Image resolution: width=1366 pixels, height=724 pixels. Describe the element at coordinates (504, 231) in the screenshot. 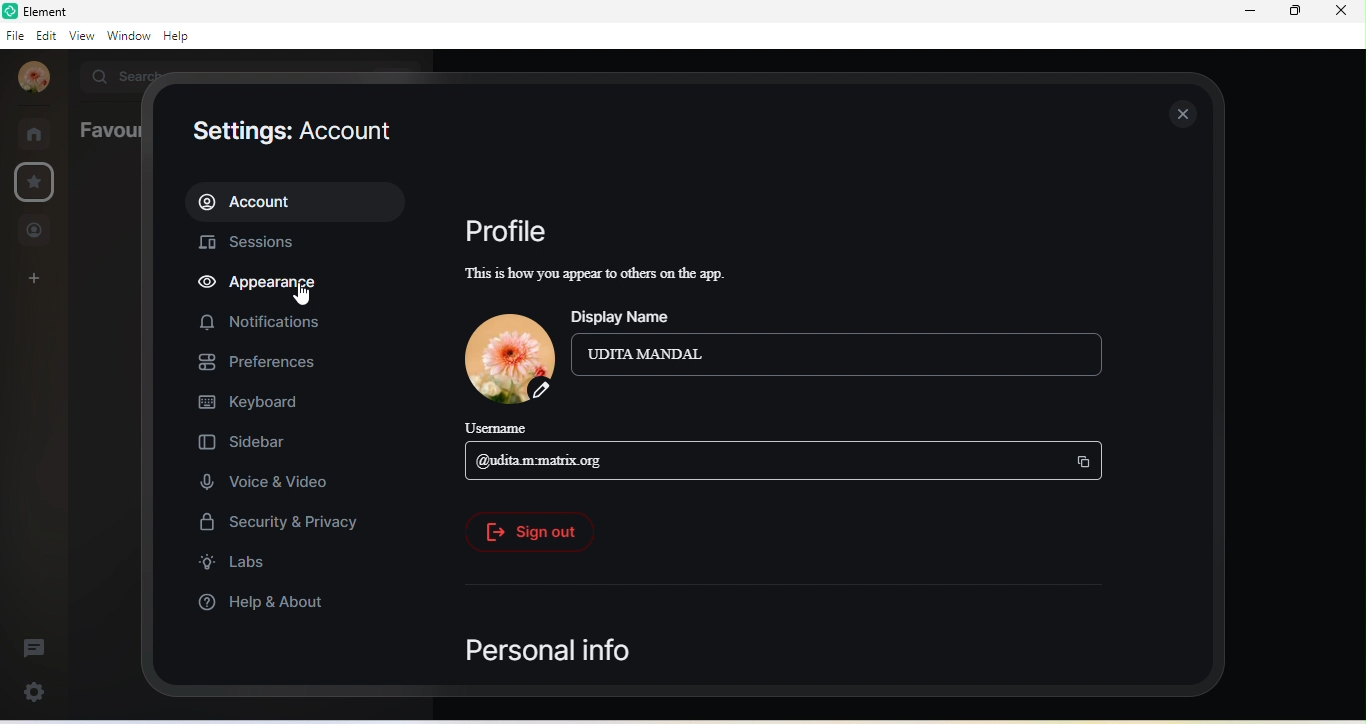

I see `profile` at that location.